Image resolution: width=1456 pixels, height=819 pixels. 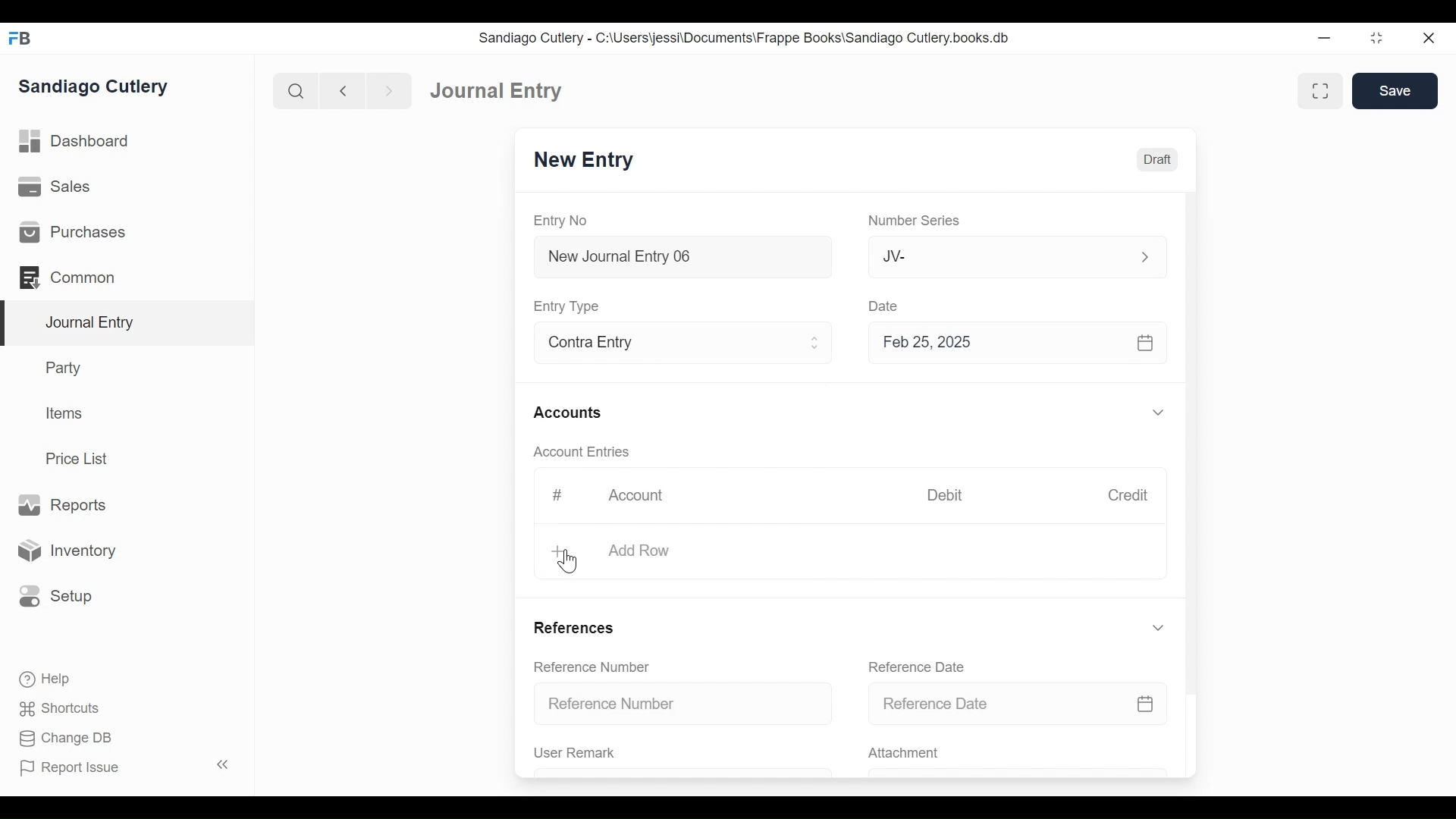 What do you see at coordinates (64, 708) in the screenshot?
I see `Shortcuts` at bounding box center [64, 708].